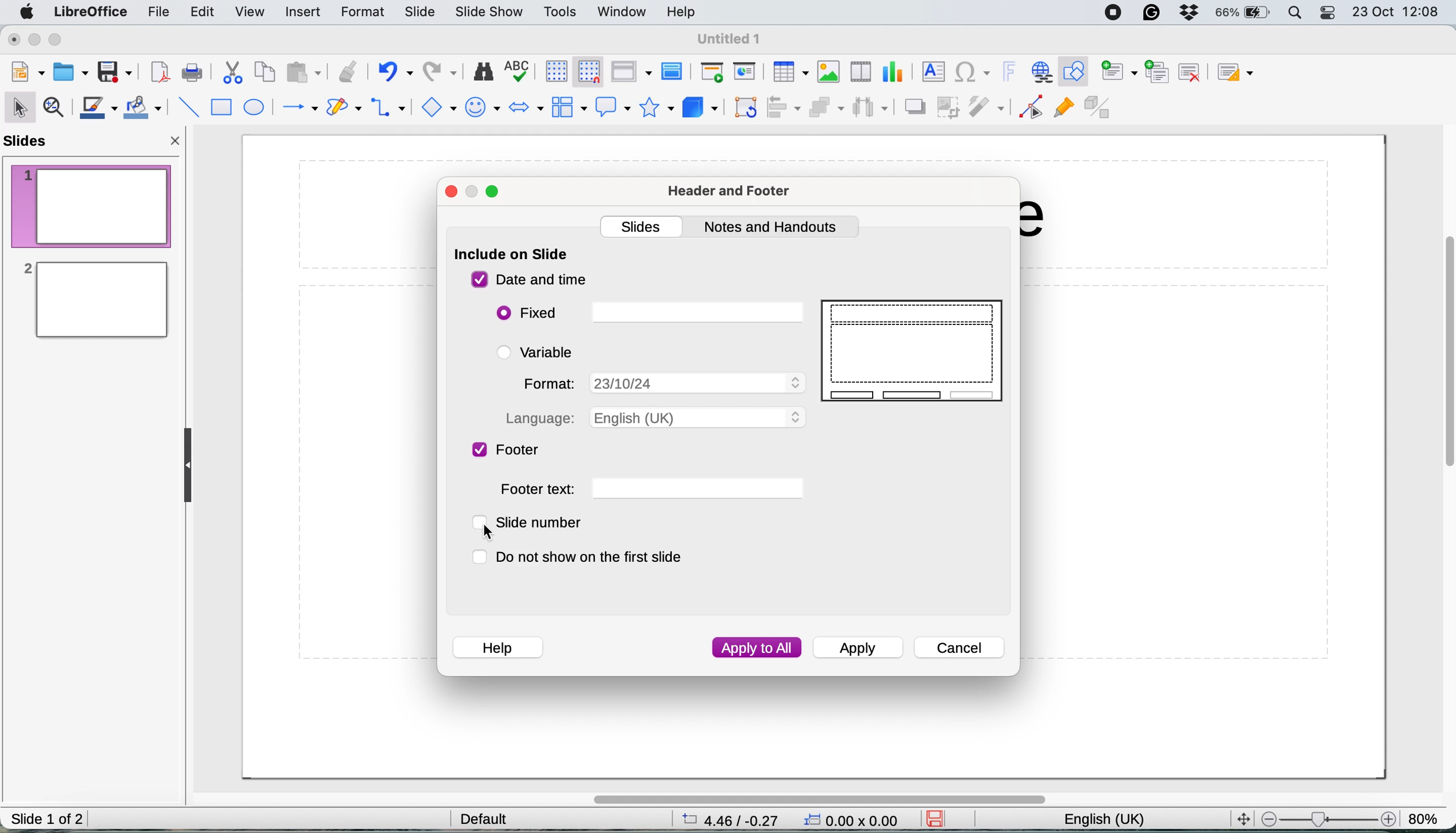  What do you see at coordinates (491, 14) in the screenshot?
I see `slide show` at bounding box center [491, 14].